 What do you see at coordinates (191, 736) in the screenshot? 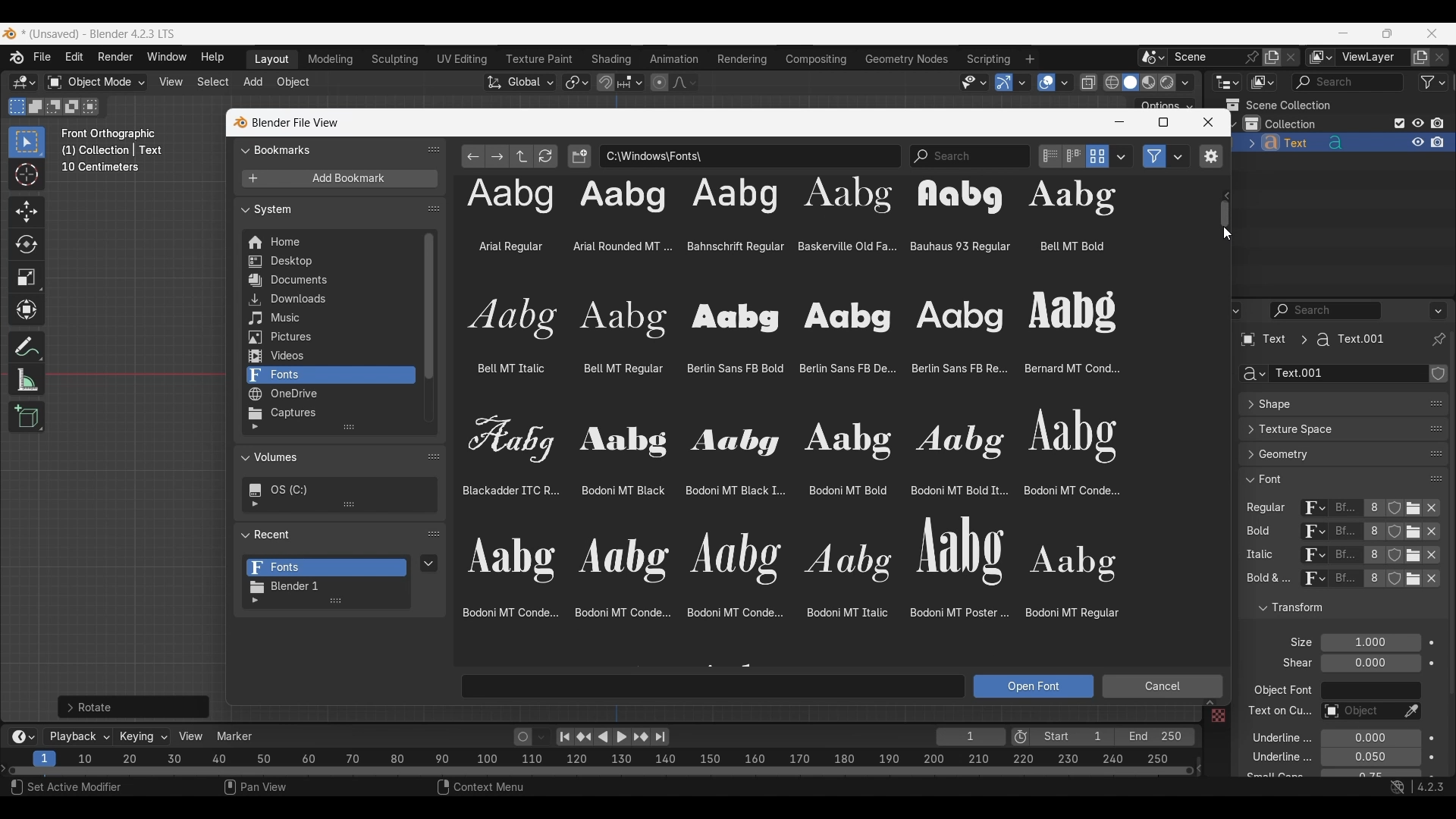
I see `View` at bounding box center [191, 736].